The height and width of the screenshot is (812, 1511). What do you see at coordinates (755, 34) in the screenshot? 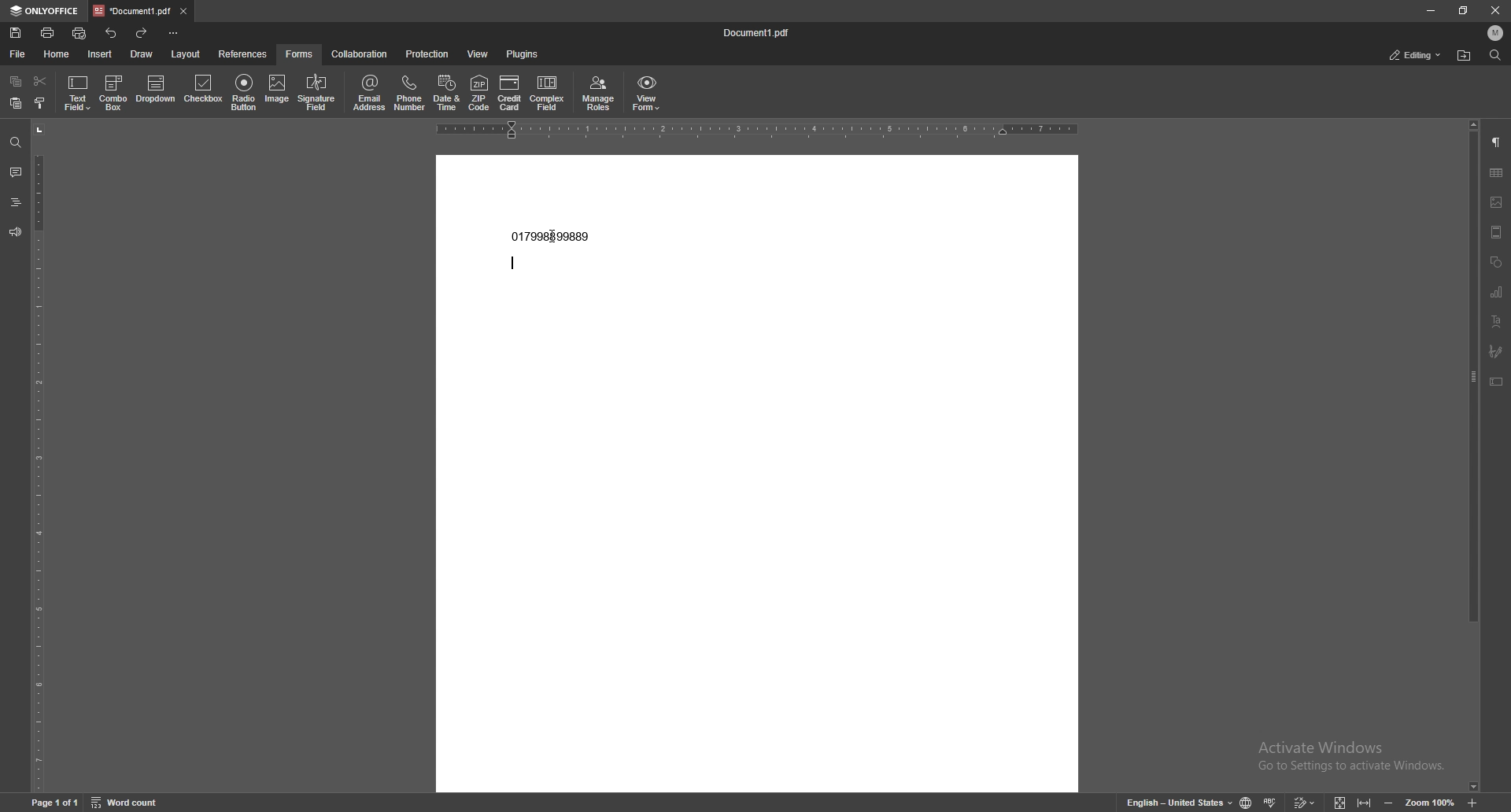
I see `file name` at bounding box center [755, 34].